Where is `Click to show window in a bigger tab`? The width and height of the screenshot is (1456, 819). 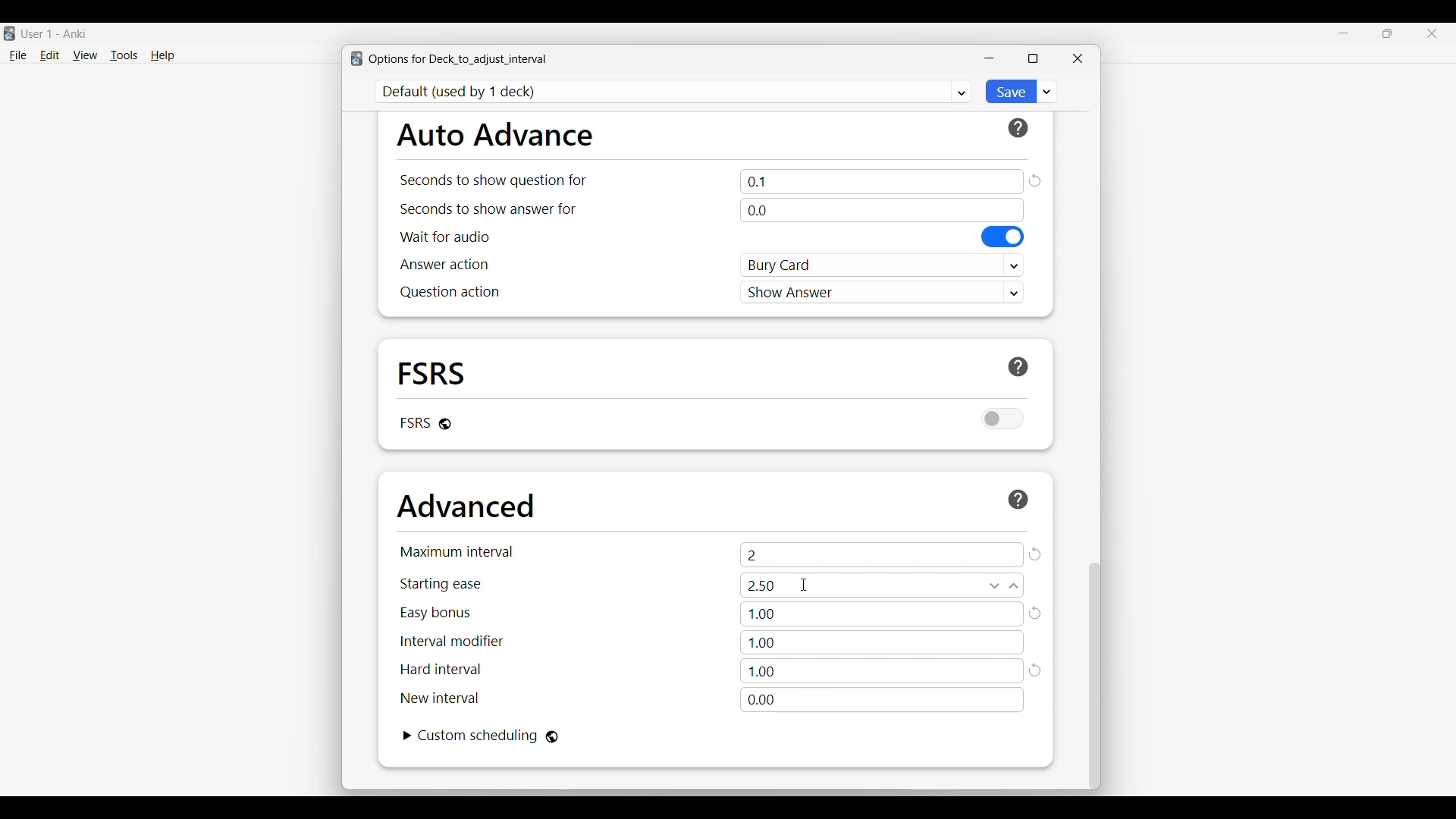 Click to show window in a bigger tab is located at coordinates (1033, 58).